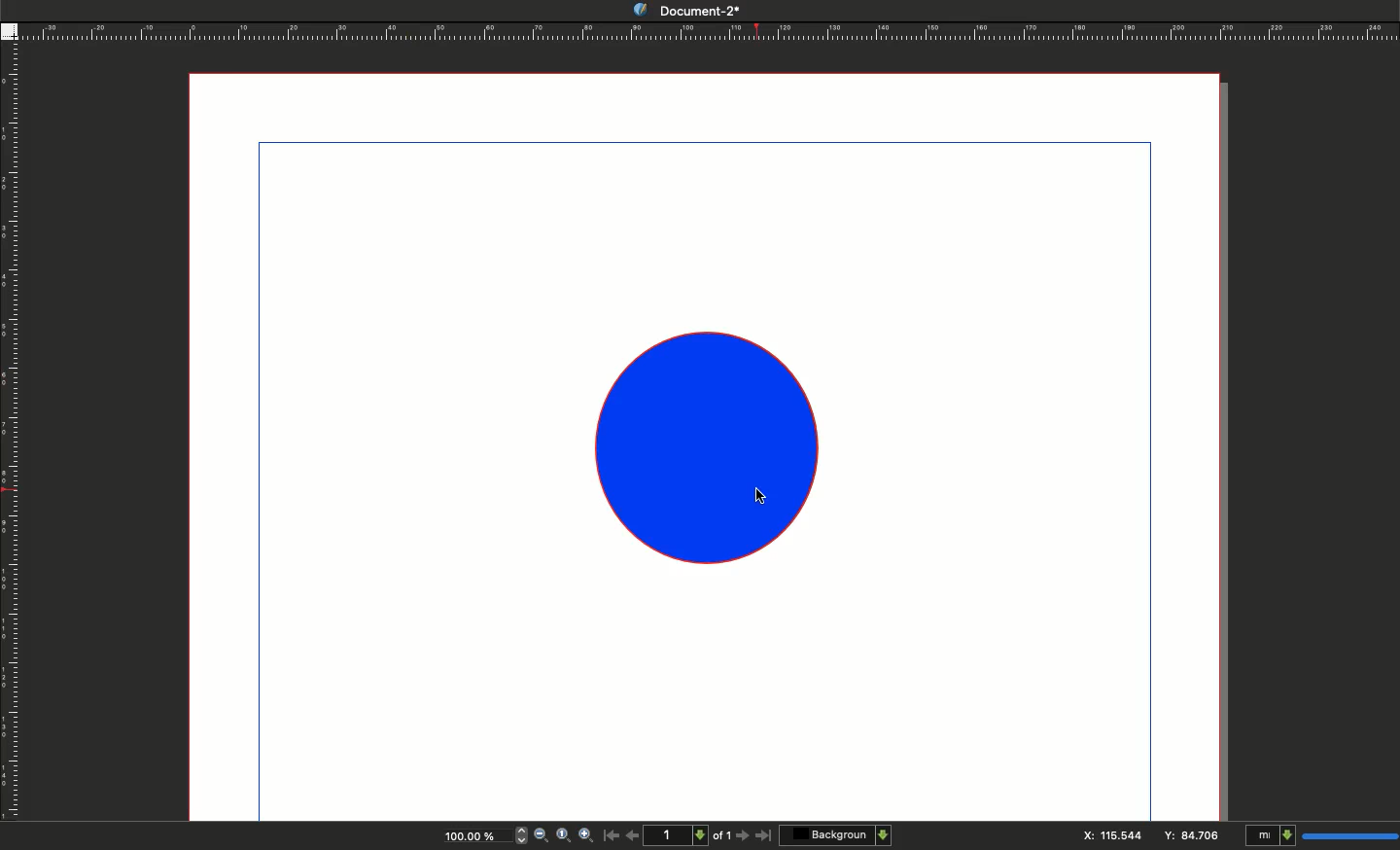  I want to click on Y: 84.706, so click(1193, 834).